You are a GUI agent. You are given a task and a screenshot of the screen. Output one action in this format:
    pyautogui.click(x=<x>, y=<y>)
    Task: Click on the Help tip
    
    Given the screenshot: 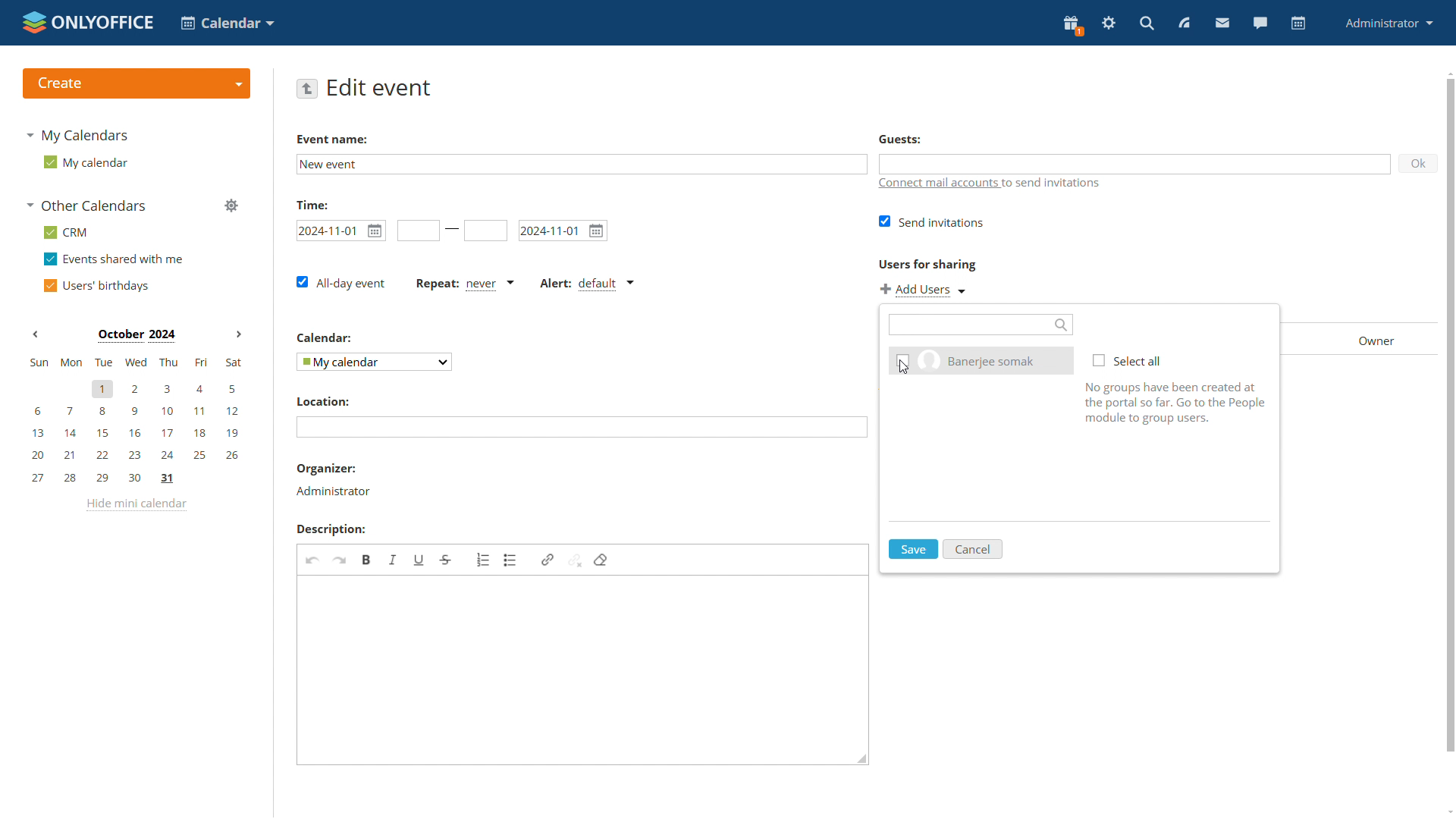 What is the action you would take?
    pyautogui.click(x=1175, y=408)
    